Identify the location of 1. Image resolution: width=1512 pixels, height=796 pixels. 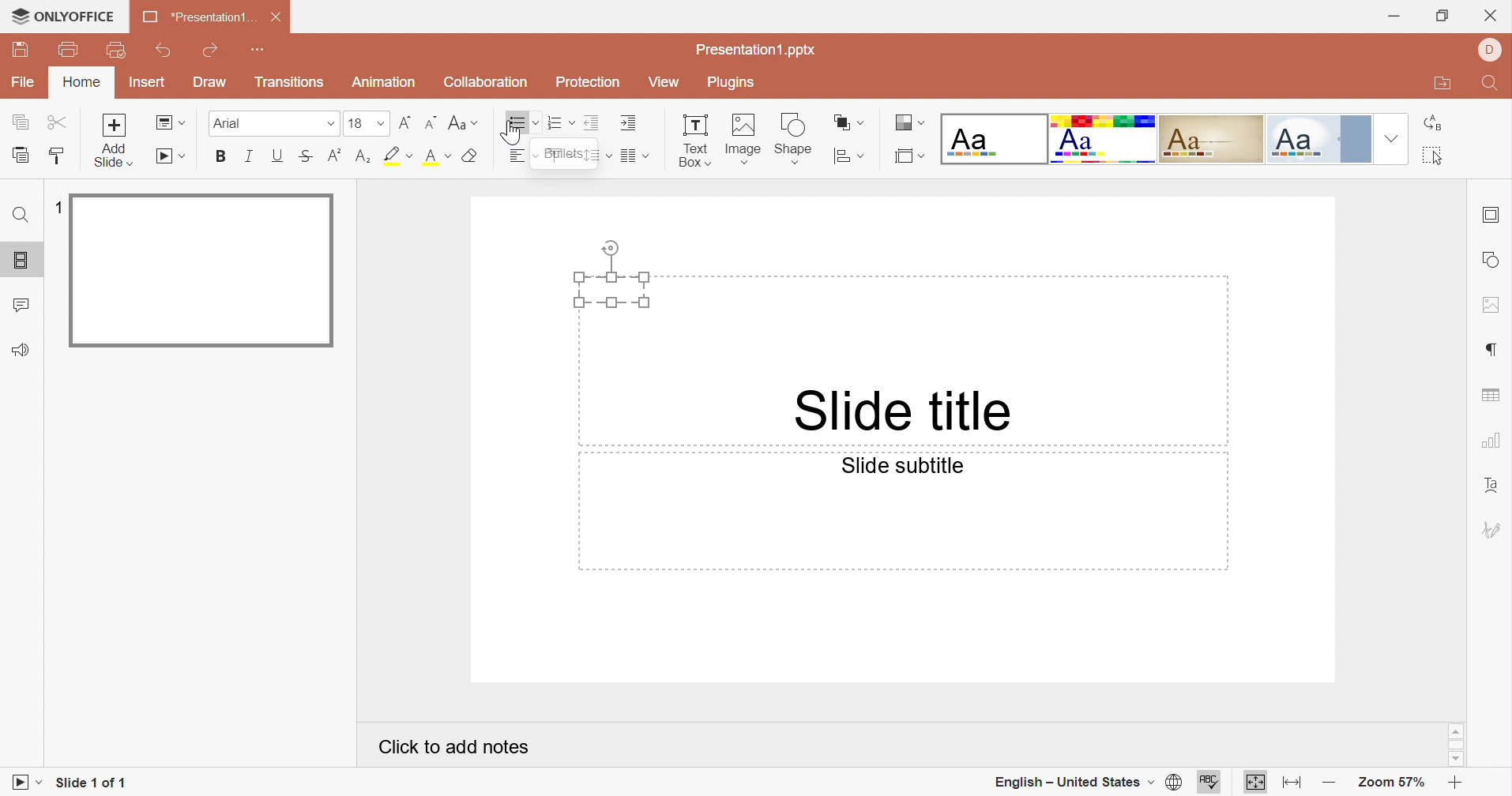
(56, 210).